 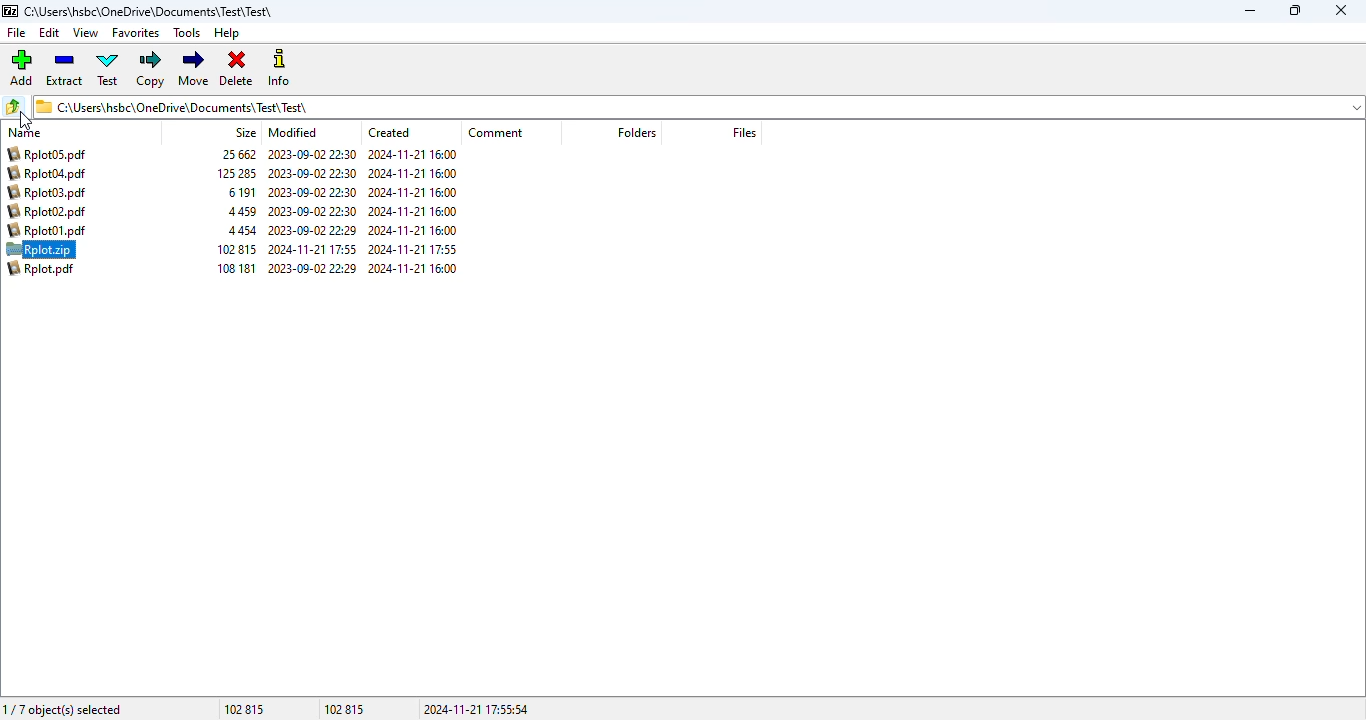 I want to click on 2023-09-02 22:29, so click(x=311, y=268).